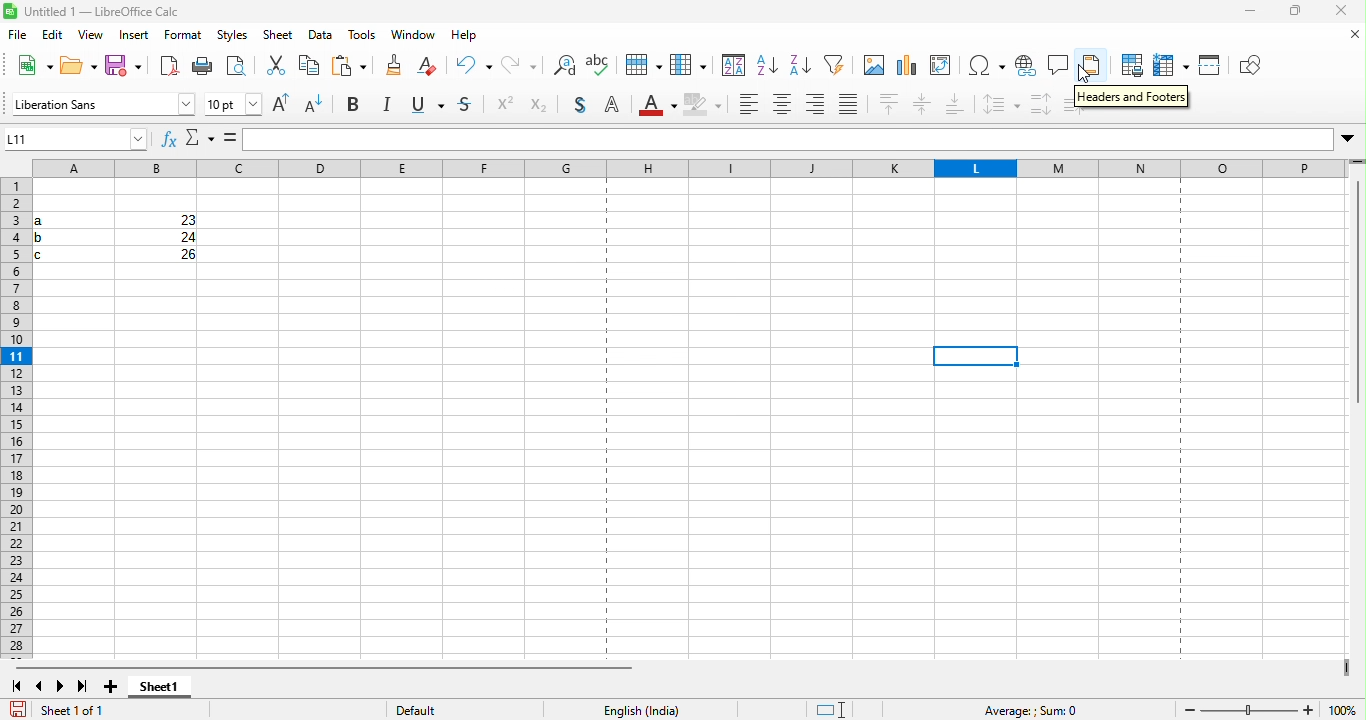 Image resolution: width=1366 pixels, height=720 pixels. What do you see at coordinates (1252, 707) in the screenshot?
I see `zoom` at bounding box center [1252, 707].